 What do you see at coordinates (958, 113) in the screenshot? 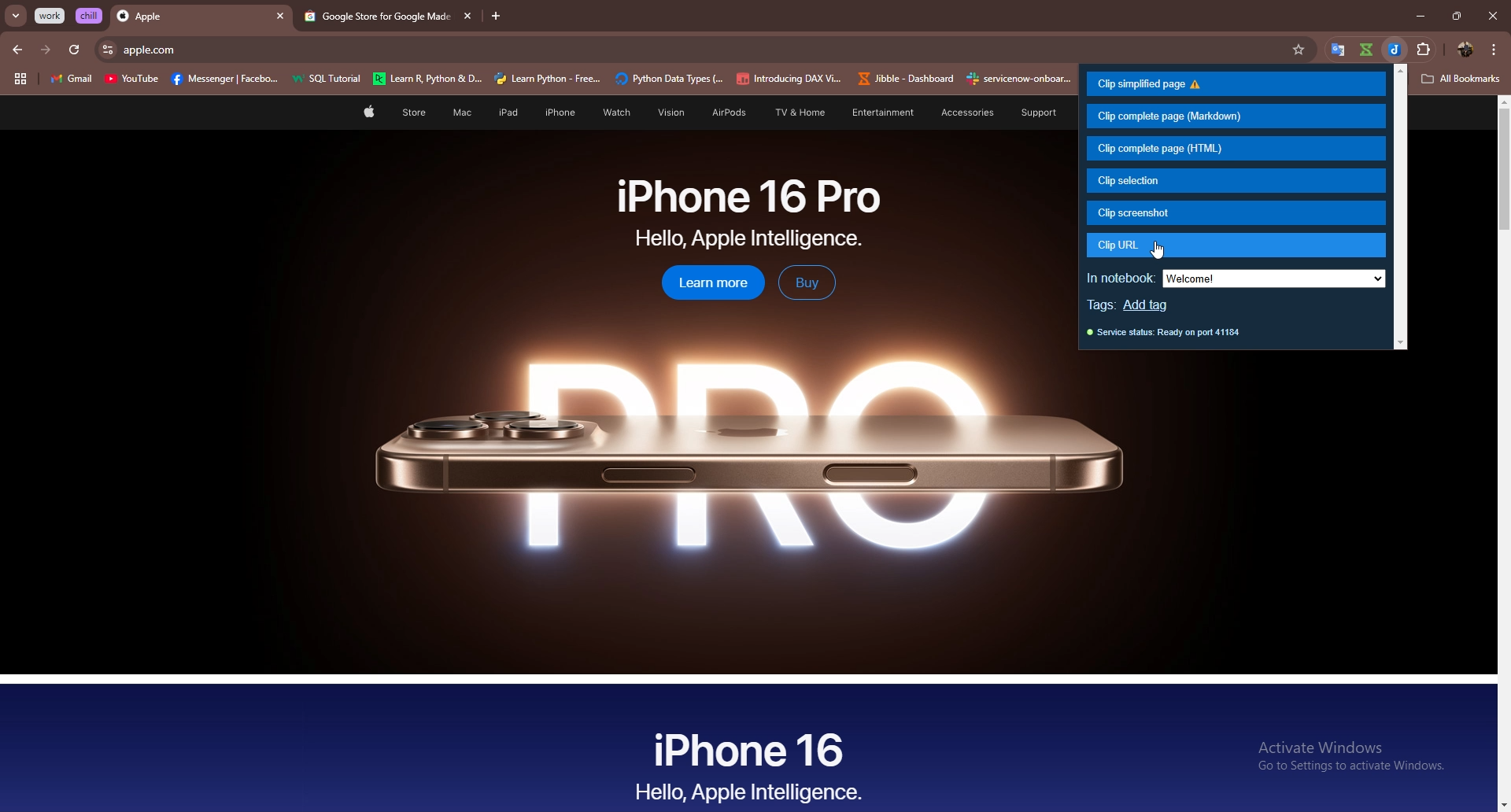
I see `Accessories` at bounding box center [958, 113].